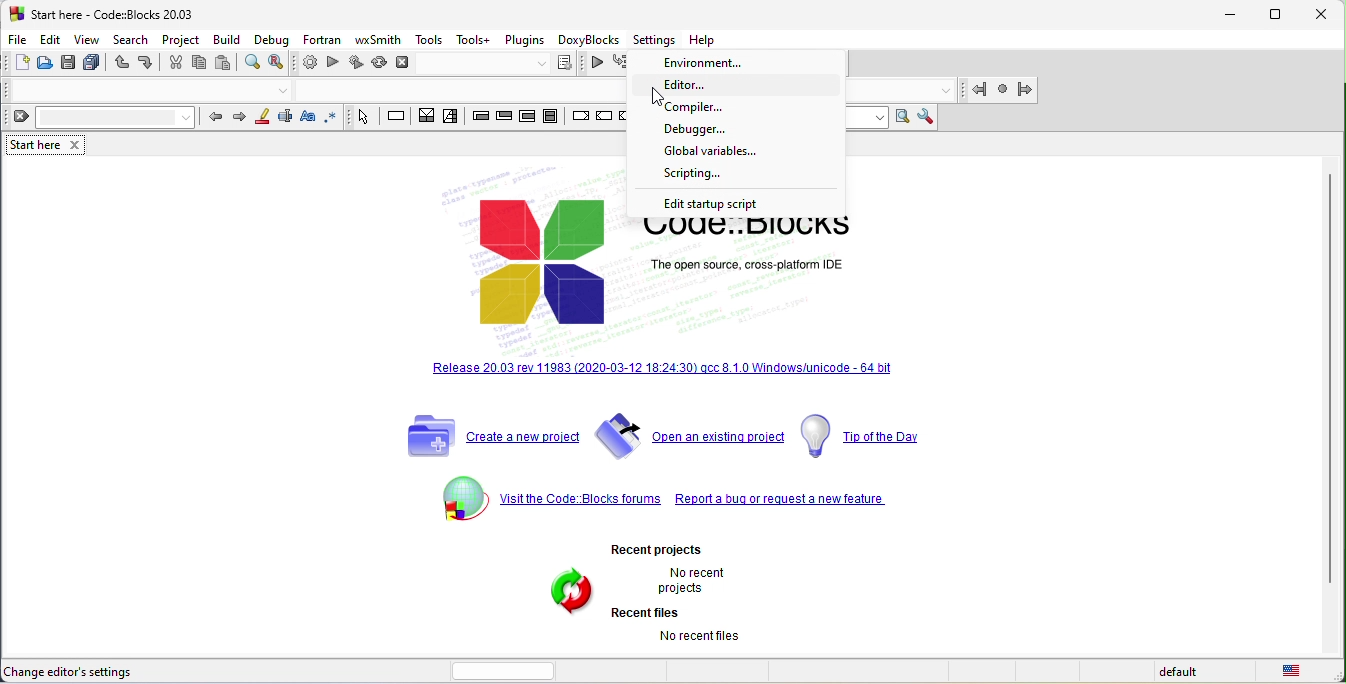  I want to click on copy, so click(202, 64).